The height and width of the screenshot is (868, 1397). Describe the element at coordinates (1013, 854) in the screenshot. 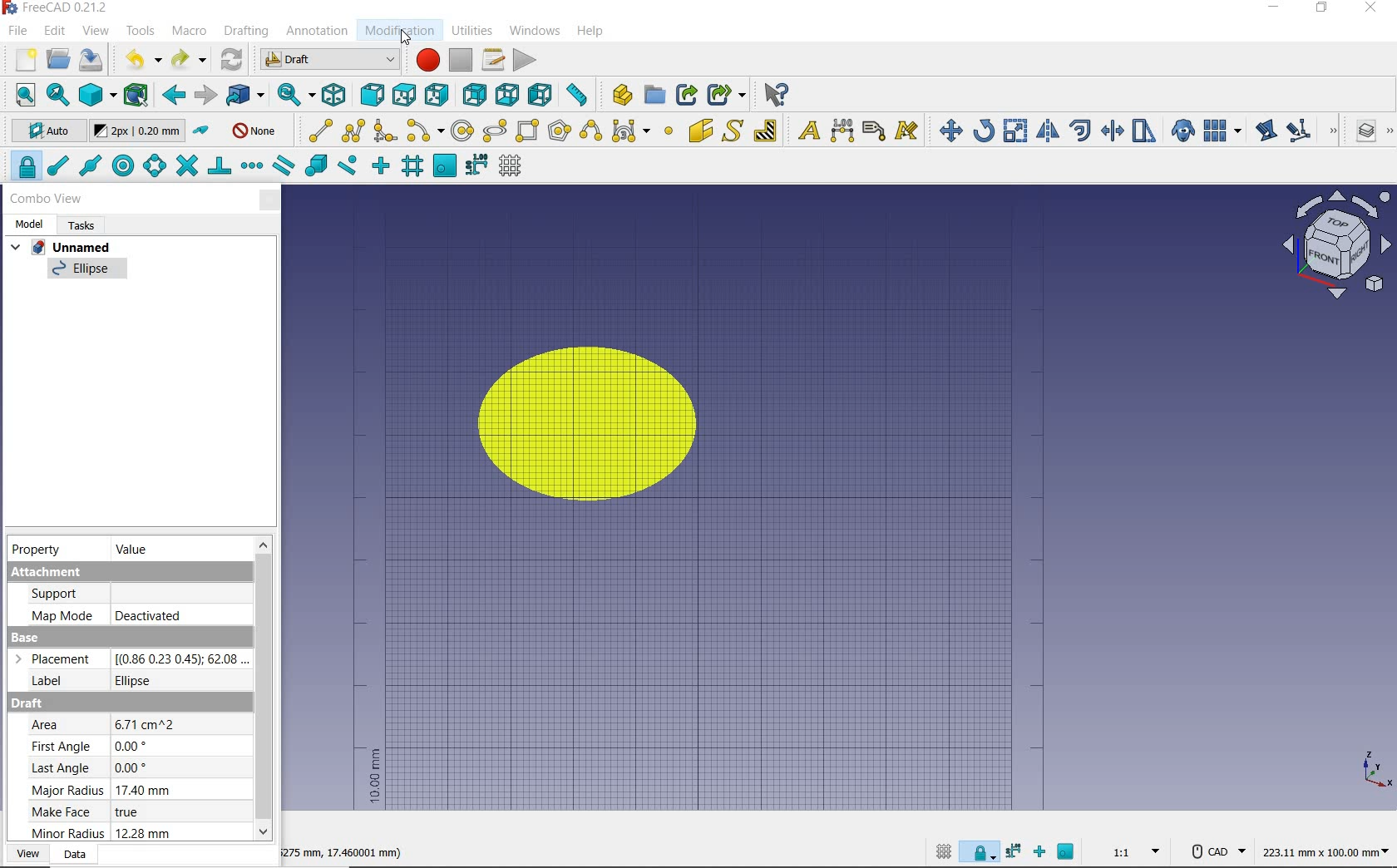

I see `snap dimension` at that location.